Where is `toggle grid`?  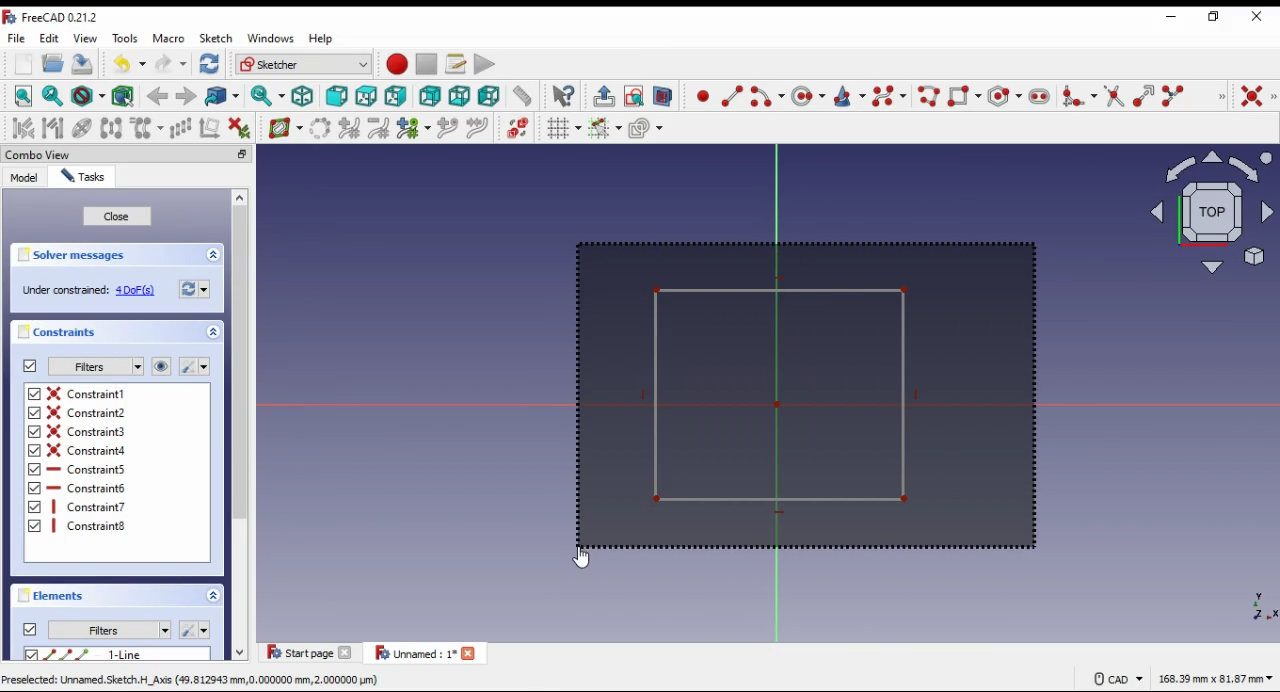
toggle grid is located at coordinates (563, 128).